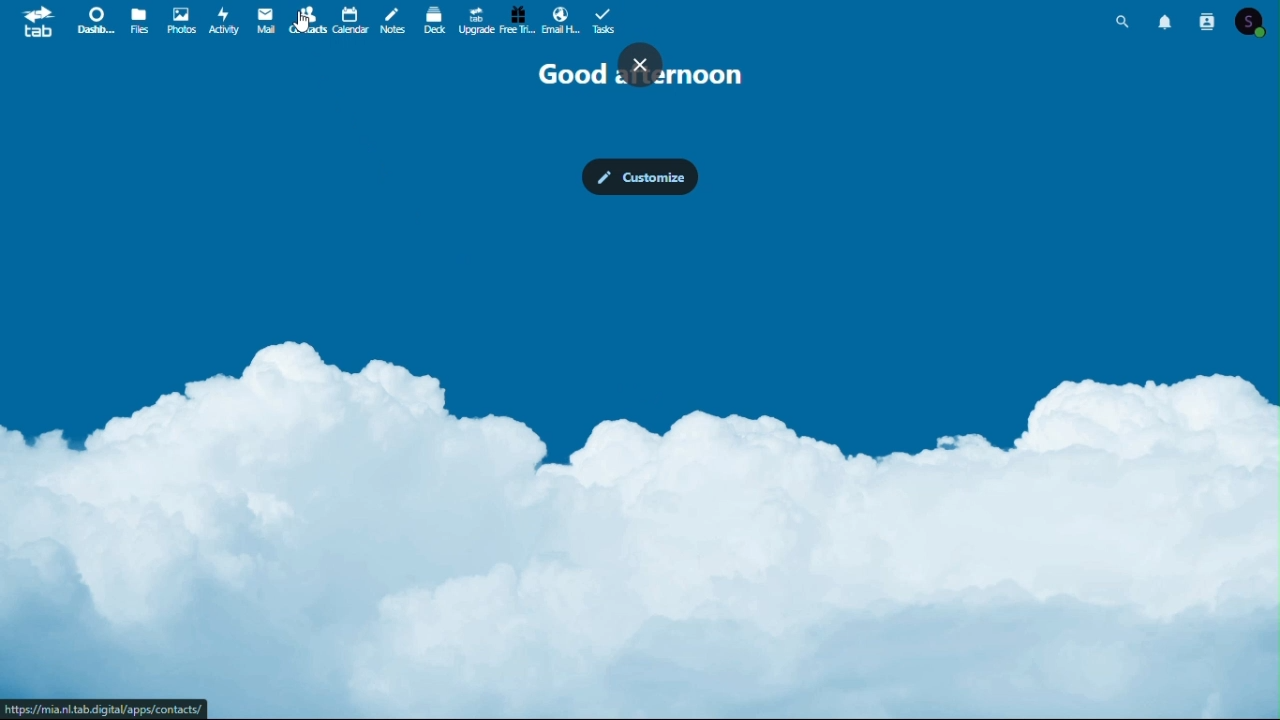  I want to click on free trial, so click(519, 20).